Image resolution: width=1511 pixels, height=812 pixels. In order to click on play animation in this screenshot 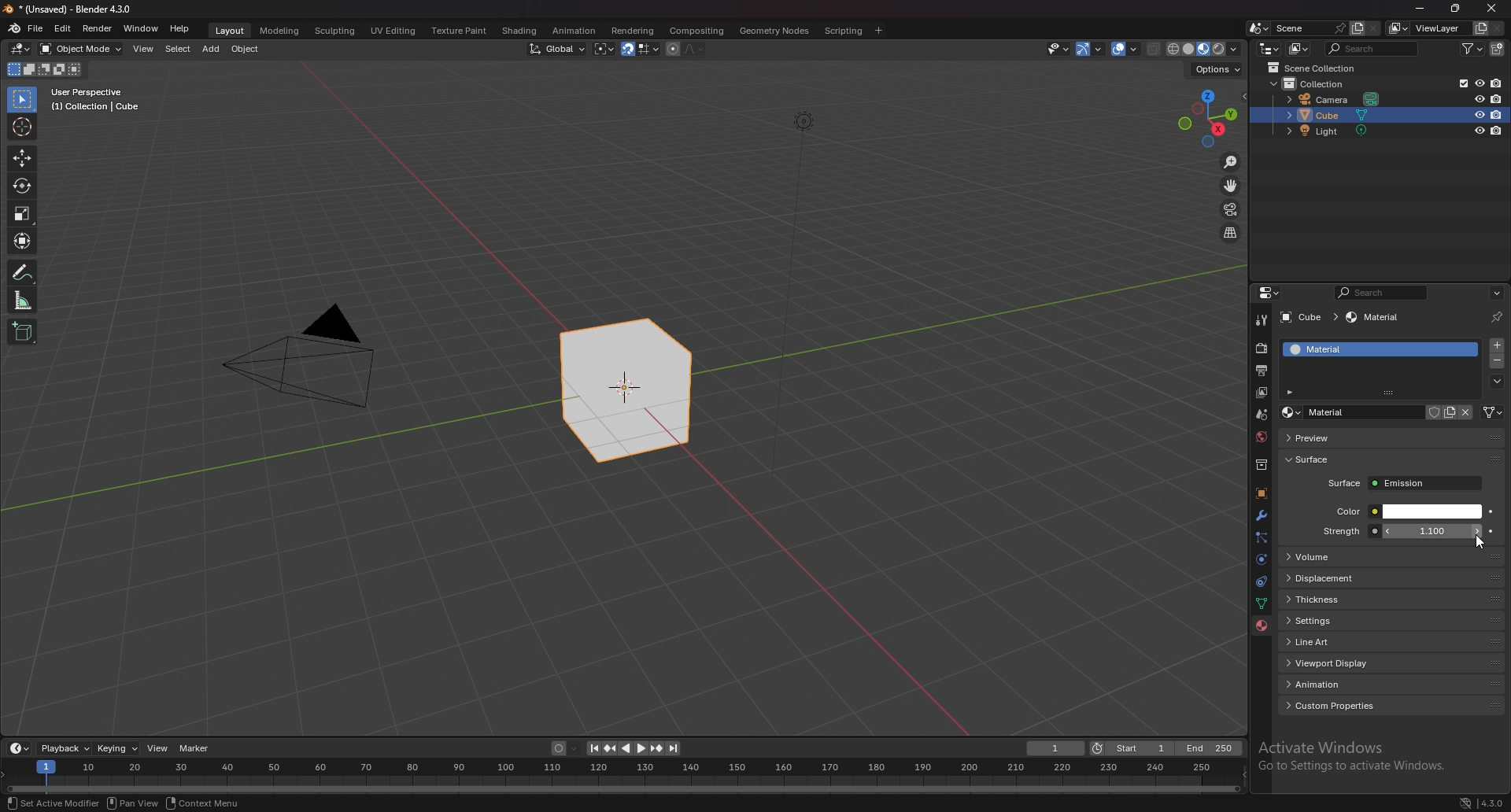, I will do `click(633, 748)`.